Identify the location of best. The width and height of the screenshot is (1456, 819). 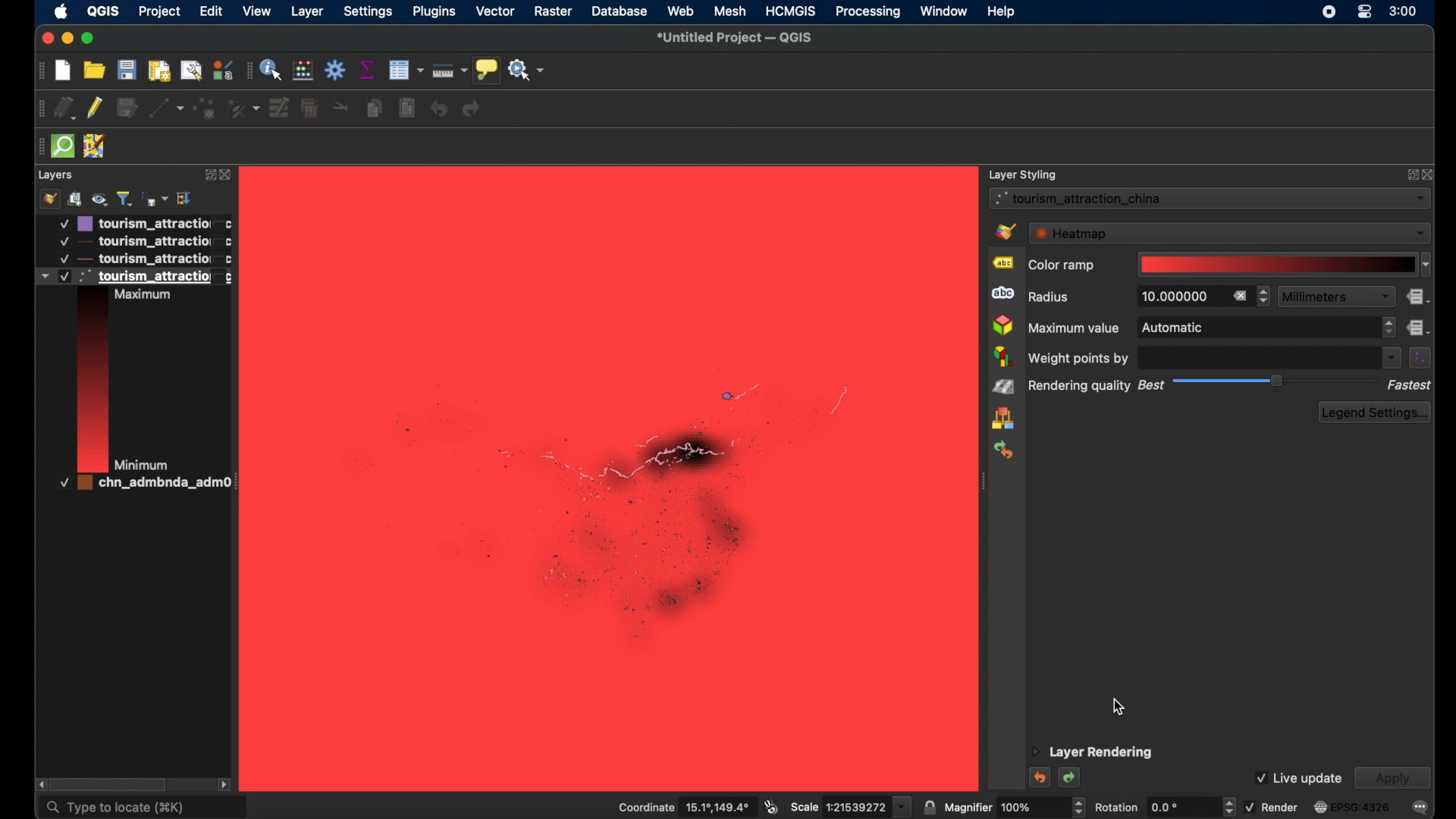
(1149, 386).